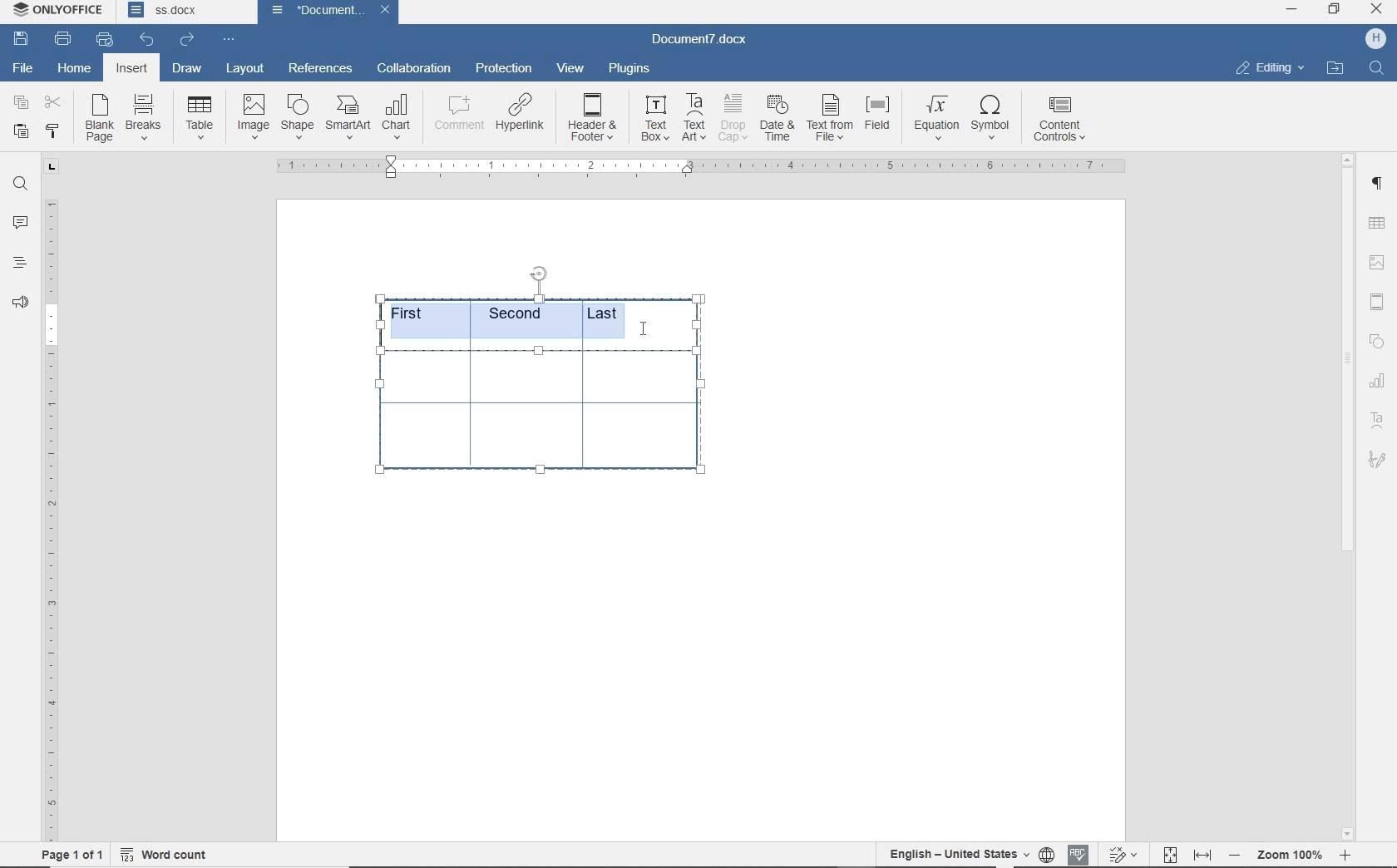  Describe the element at coordinates (53, 104) in the screenshot. I see `cut` at that location.